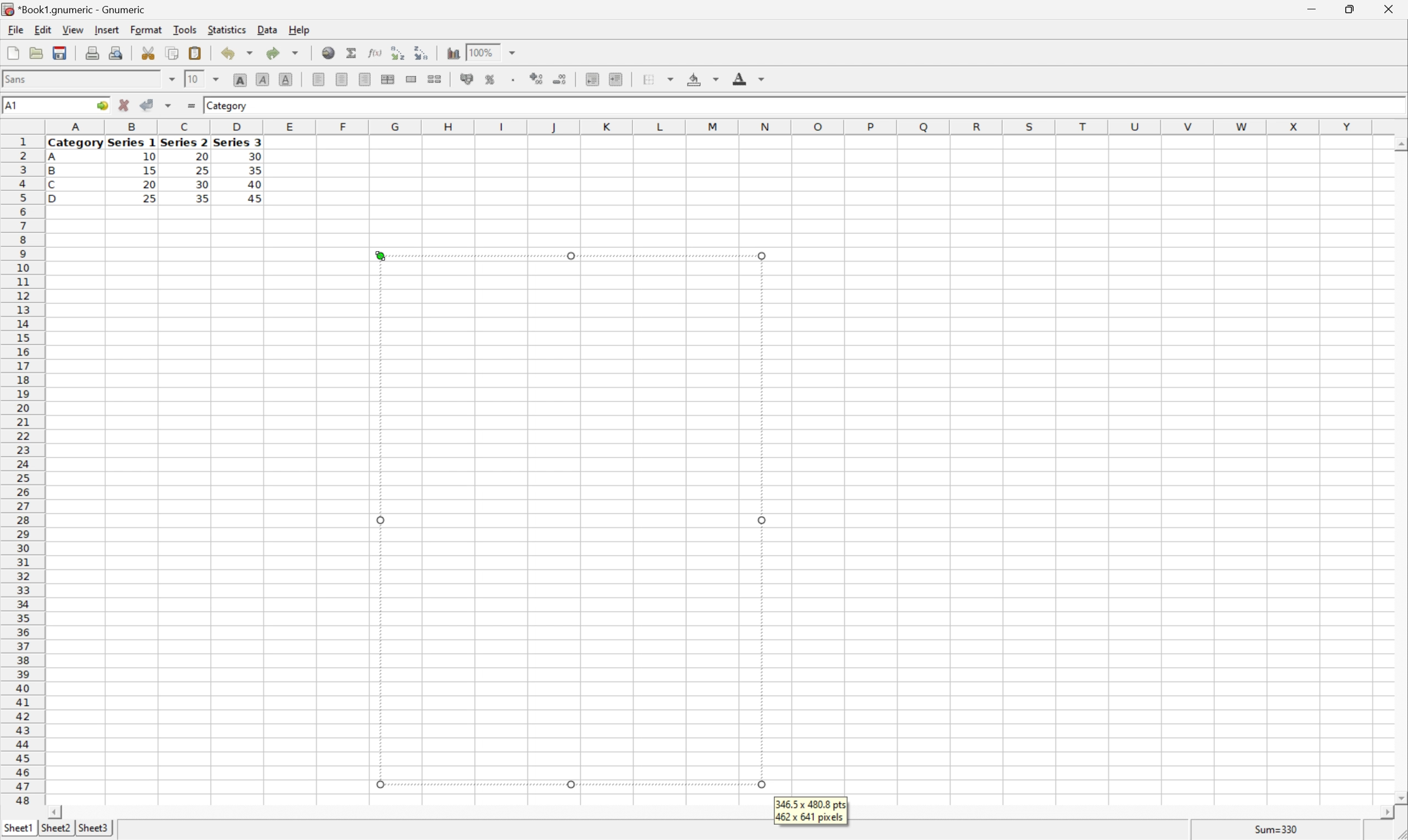 This screenshot has height=840, width=1408. I want to click on 30, so click(203, 186).